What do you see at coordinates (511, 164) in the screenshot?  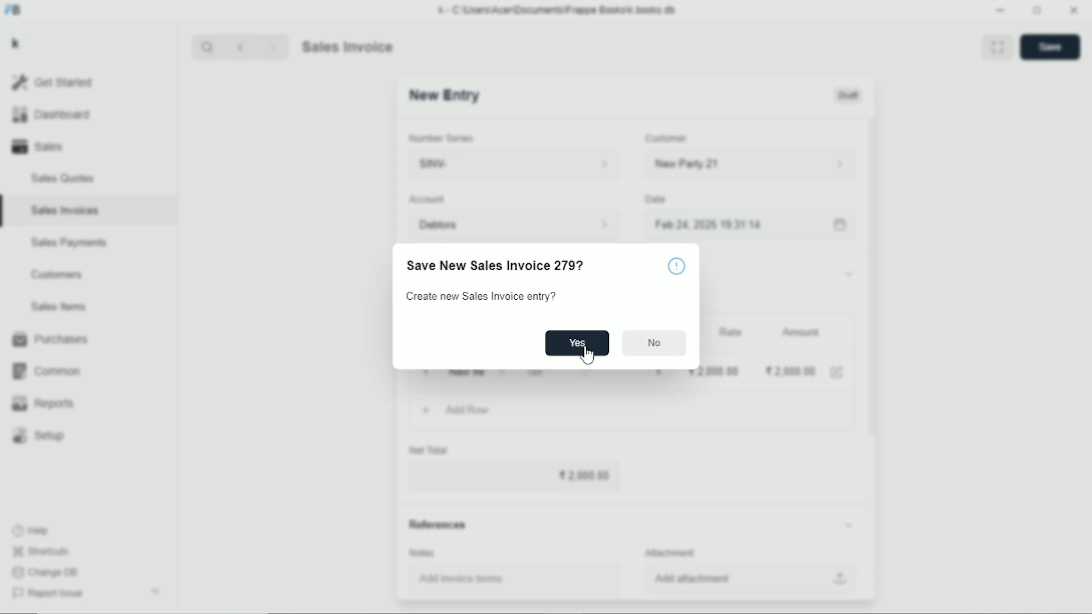 I see `SINV` at bounding box center [511, 164].